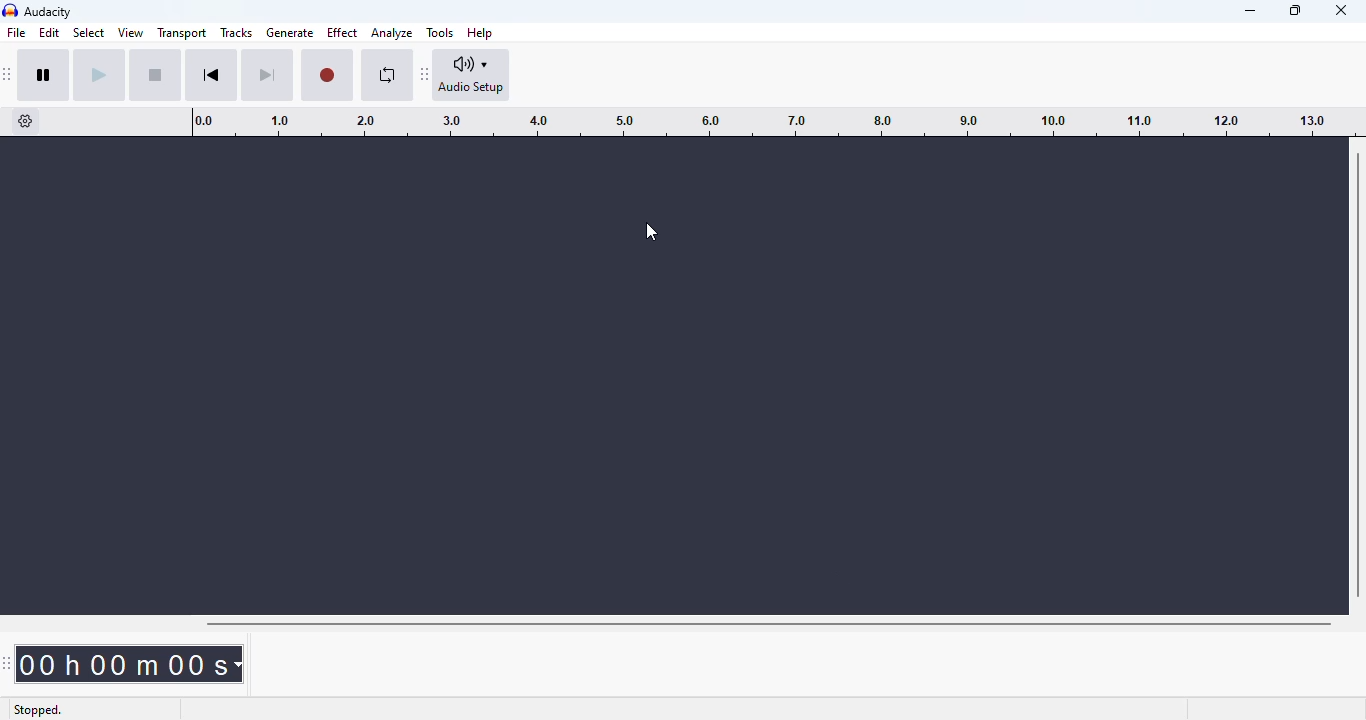  I want to click on timeline options, so click(26, 121).